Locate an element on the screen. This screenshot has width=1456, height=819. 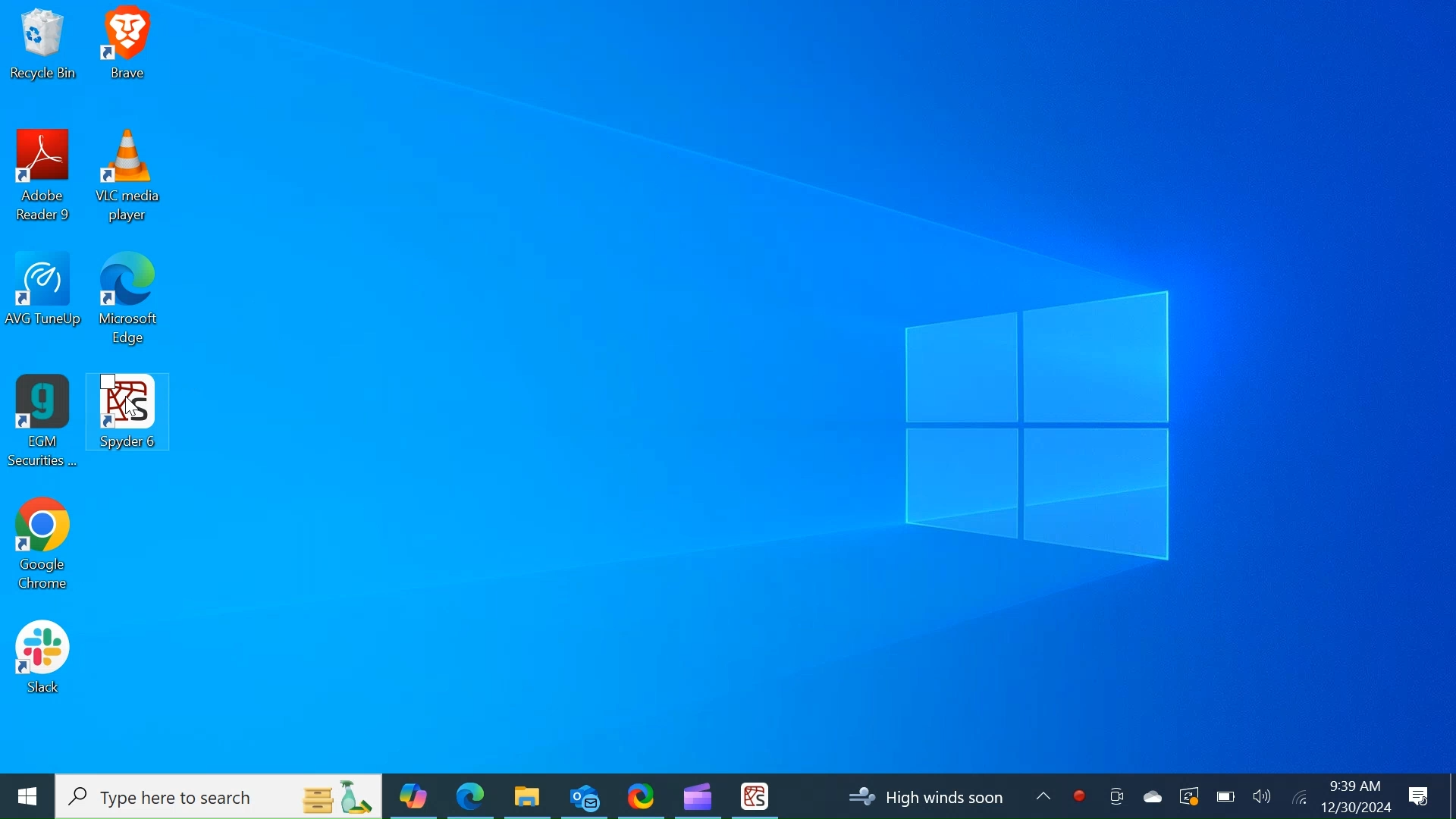
9:39 AM is located at coordinates (1354, 786).